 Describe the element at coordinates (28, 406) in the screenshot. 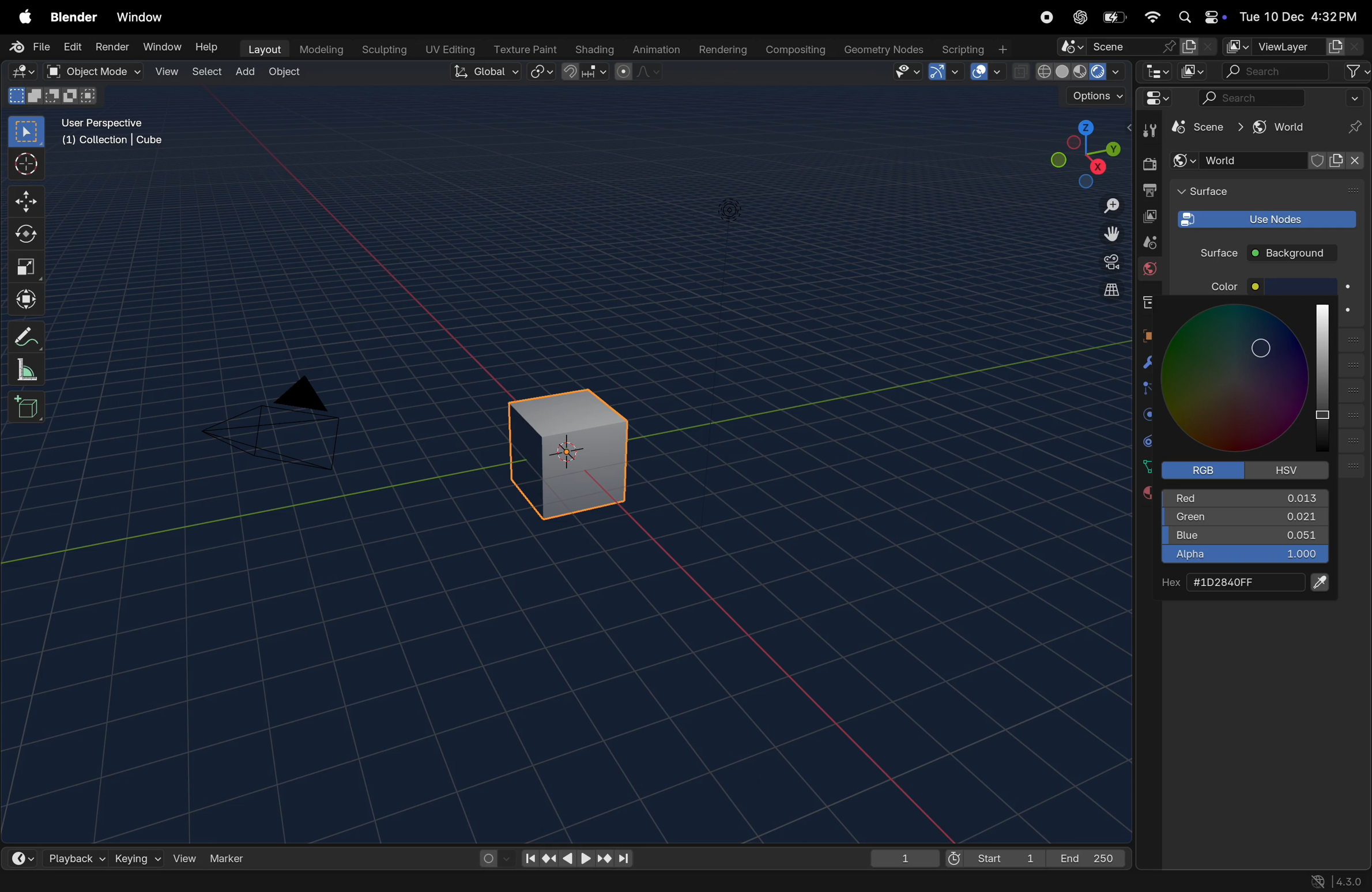

I see `add cube` at that location.